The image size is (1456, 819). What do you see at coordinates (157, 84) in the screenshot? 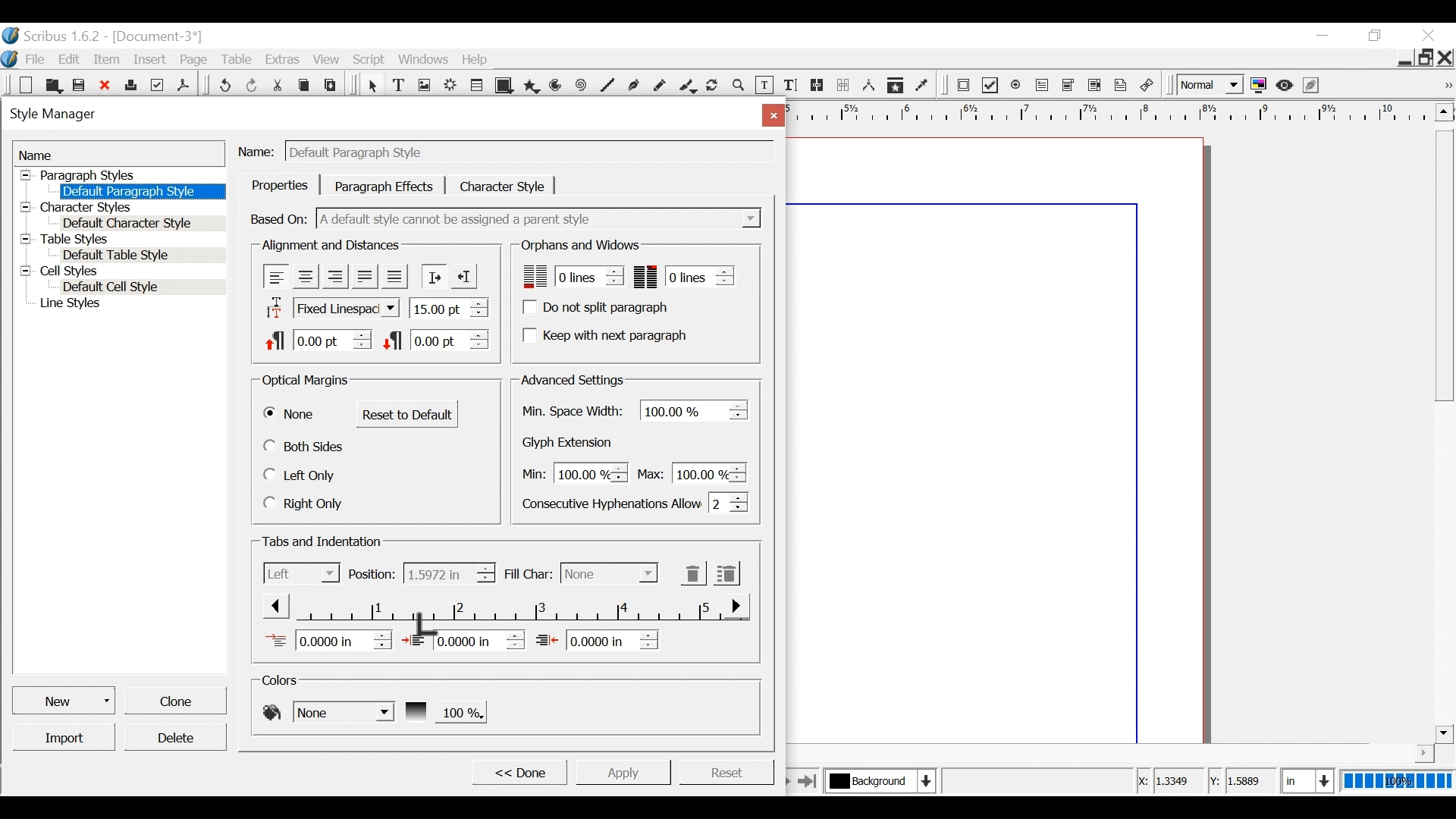
I see `Prefilight Verifier` at bounding box center [157, 84].